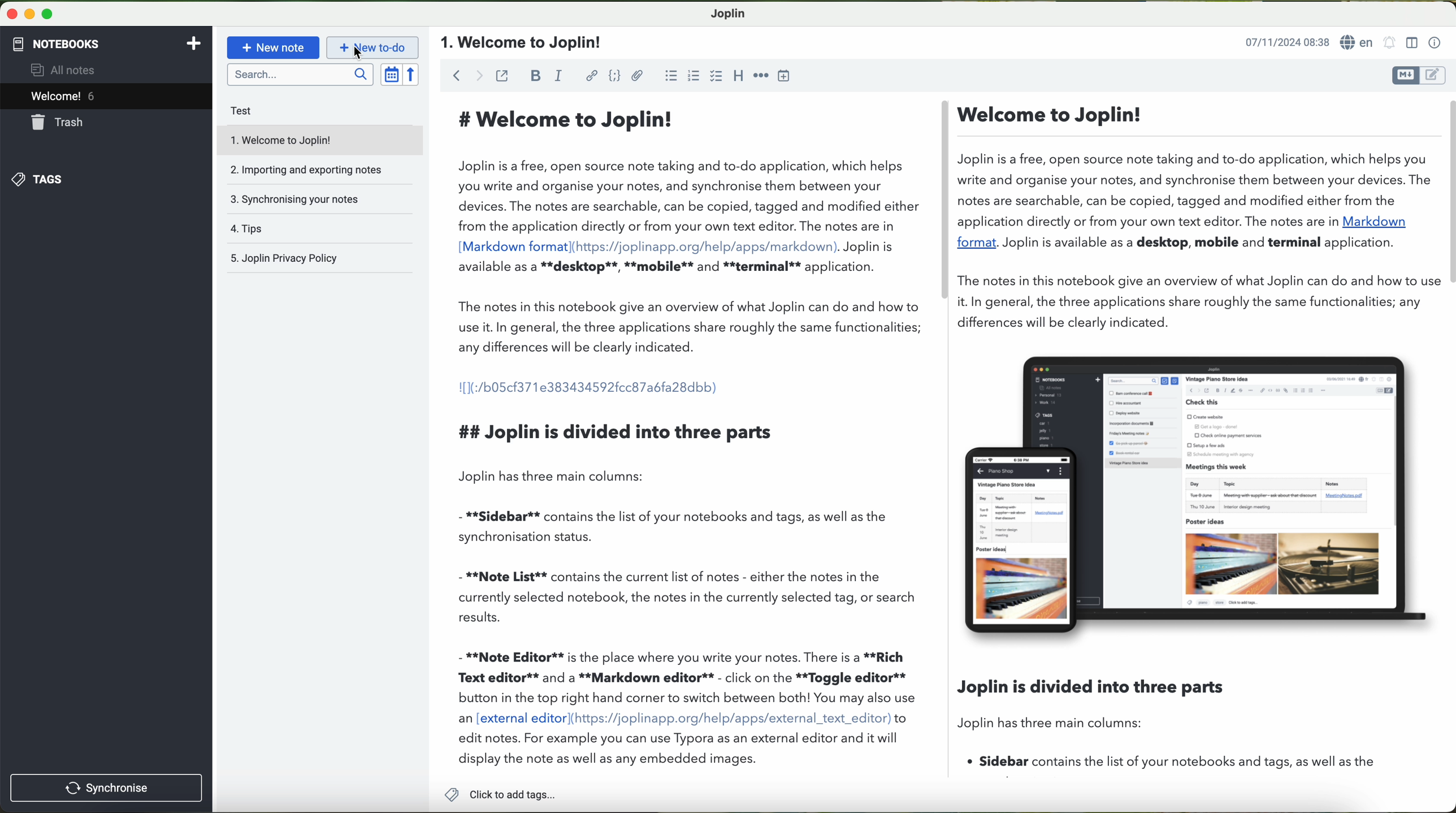 The image size is (1456, 813). Describe the element at coordinates (560, 76) in the screenshot. I see `italic` at that location.